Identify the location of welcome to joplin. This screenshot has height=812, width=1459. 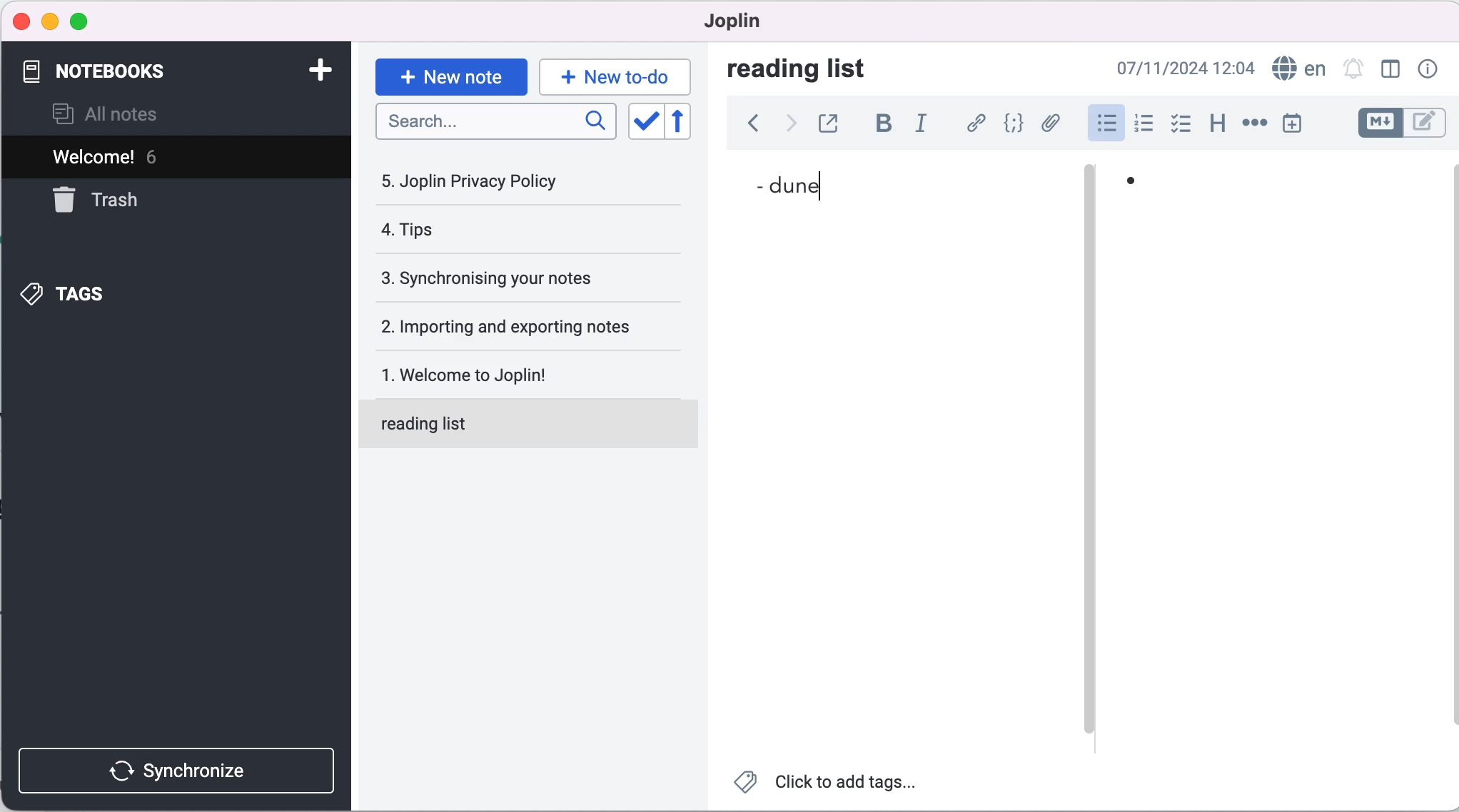
(532, 367).